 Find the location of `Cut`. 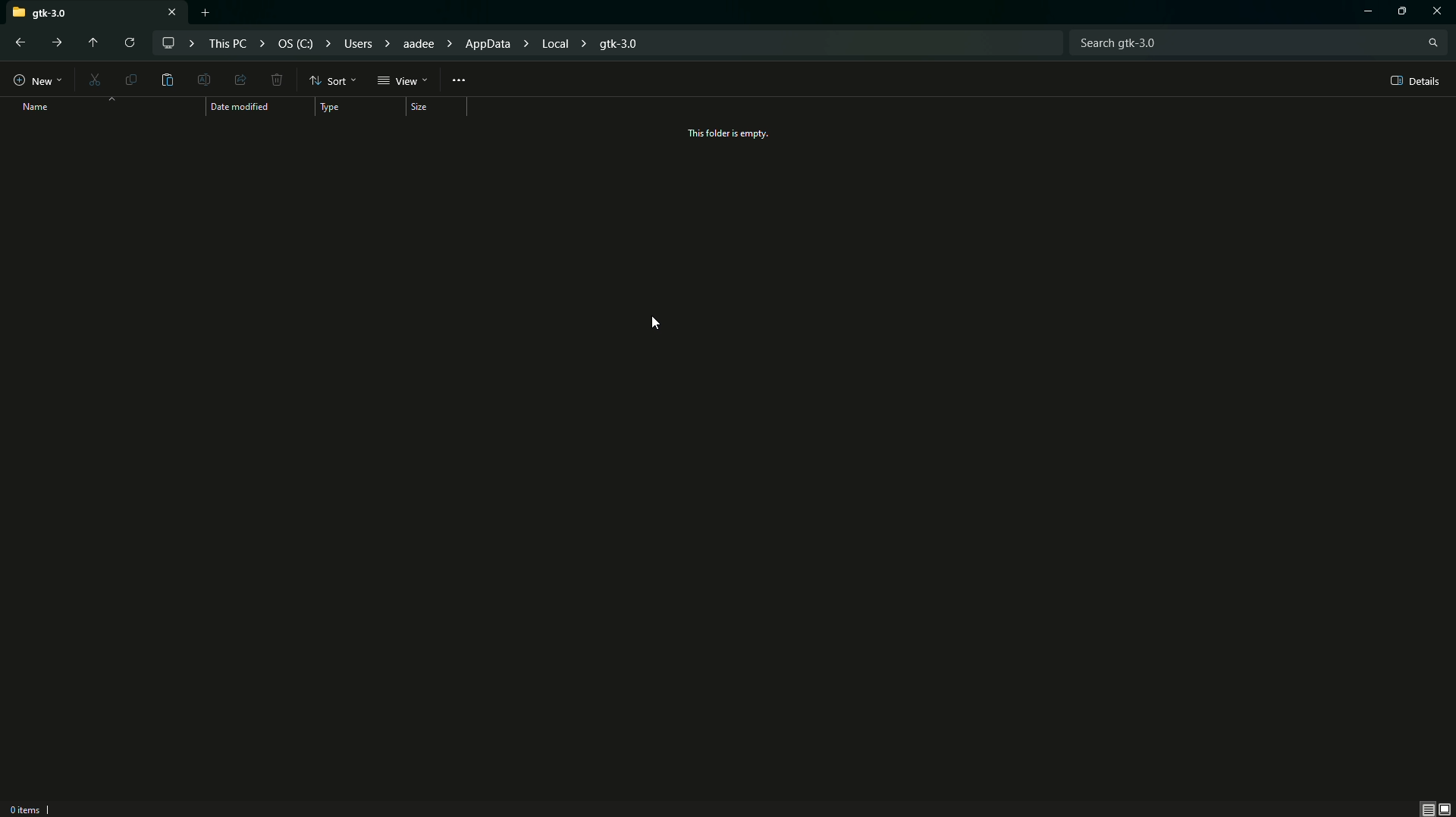

Cut is located at coordinates (96, 79).